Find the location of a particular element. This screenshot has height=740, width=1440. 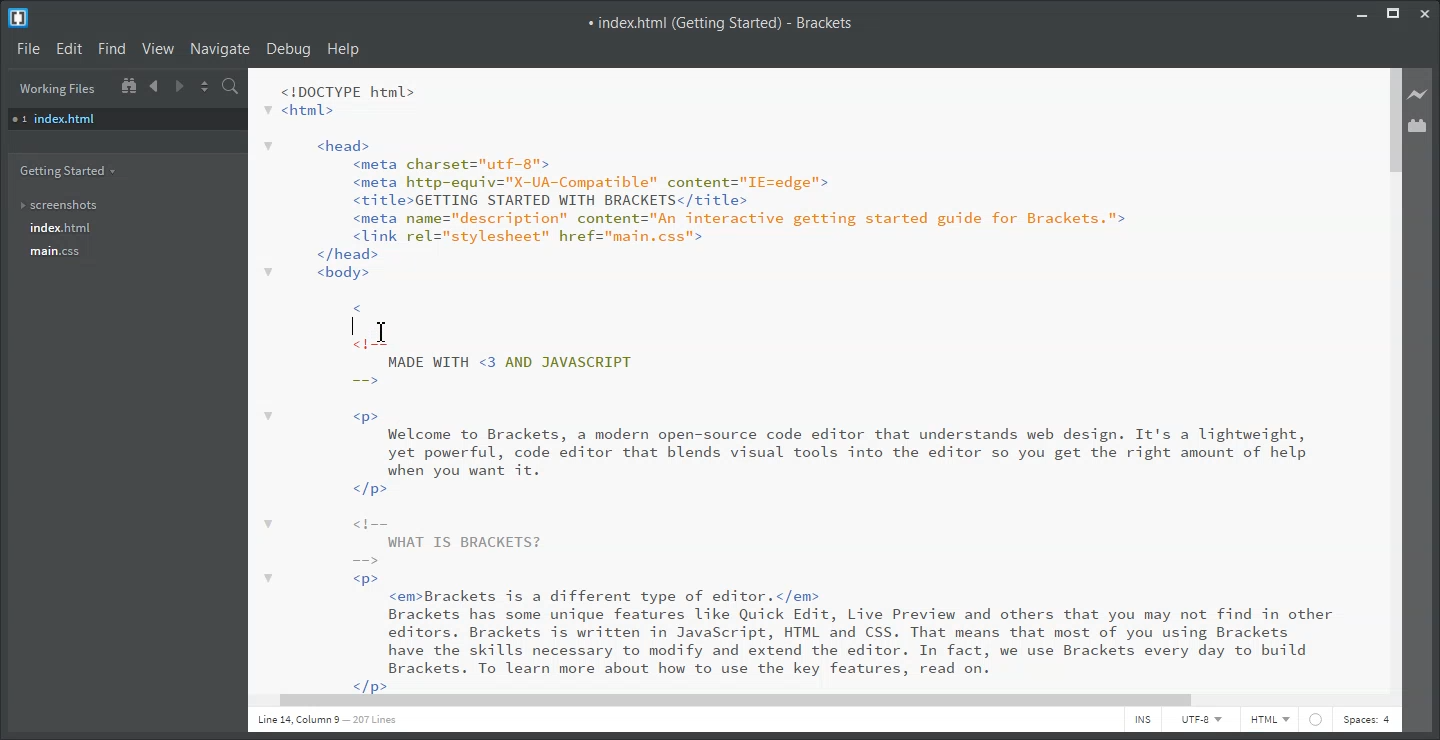

Extension Manager is located at coordinates (1420, 125).